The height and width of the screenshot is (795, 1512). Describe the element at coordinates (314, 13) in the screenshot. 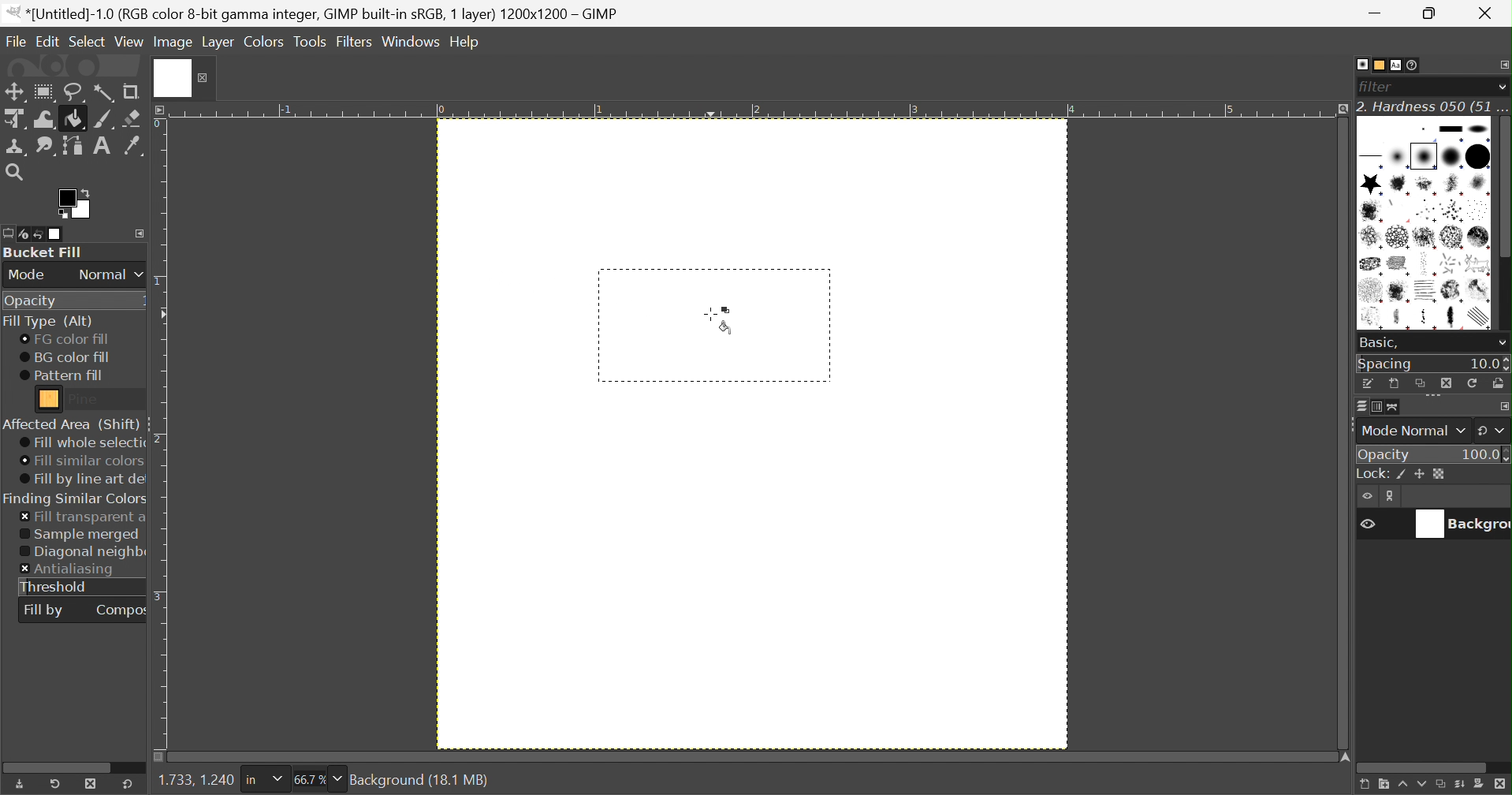

I see `*[Untitled]-6.0 (RGB color 8-bit gamma integer, GIMP built-in sRGB, 1 layer) 1200x1200 — GIMP` at that location.